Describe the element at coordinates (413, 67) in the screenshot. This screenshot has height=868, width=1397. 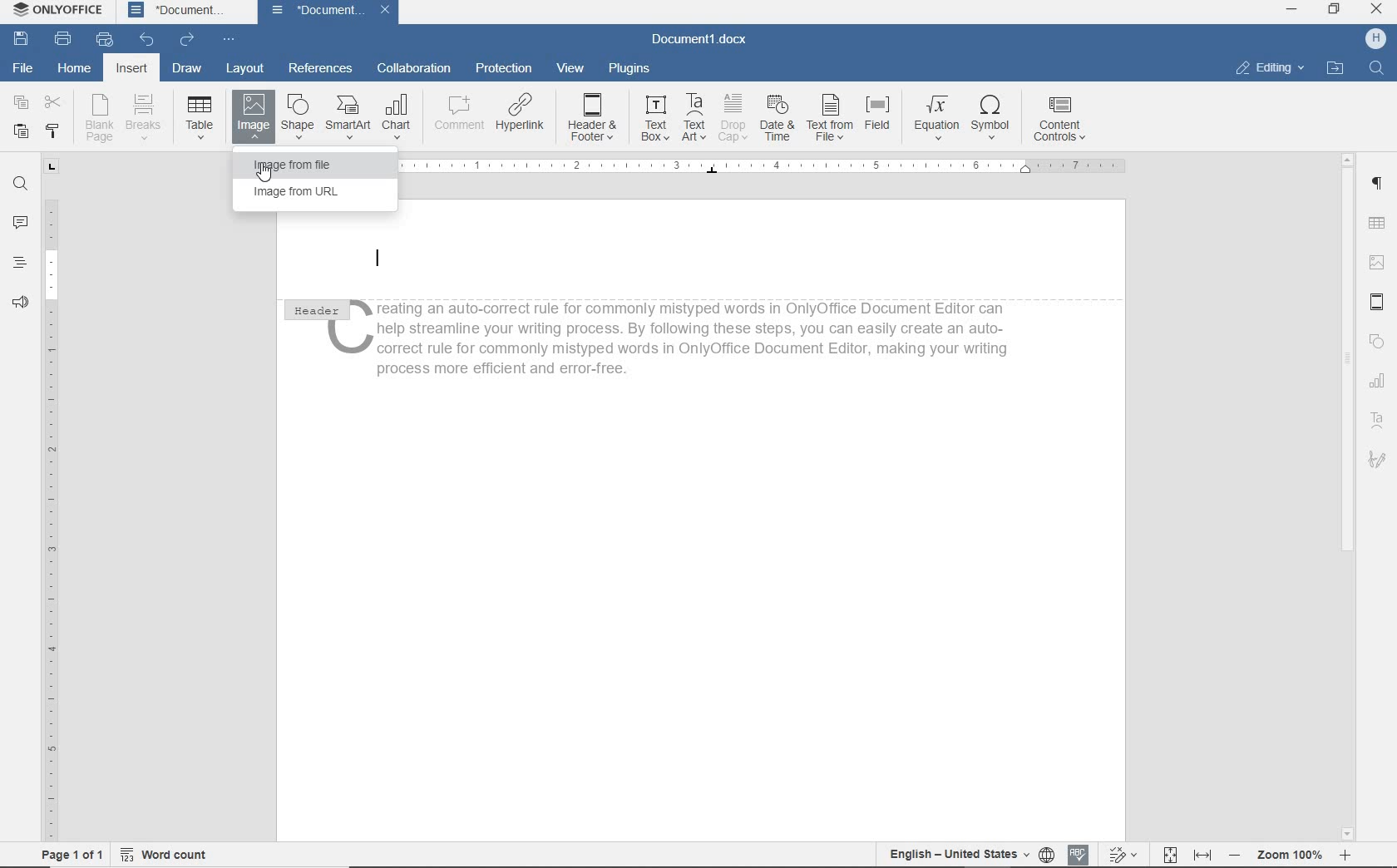
I see `COLLABORATION` at that location.